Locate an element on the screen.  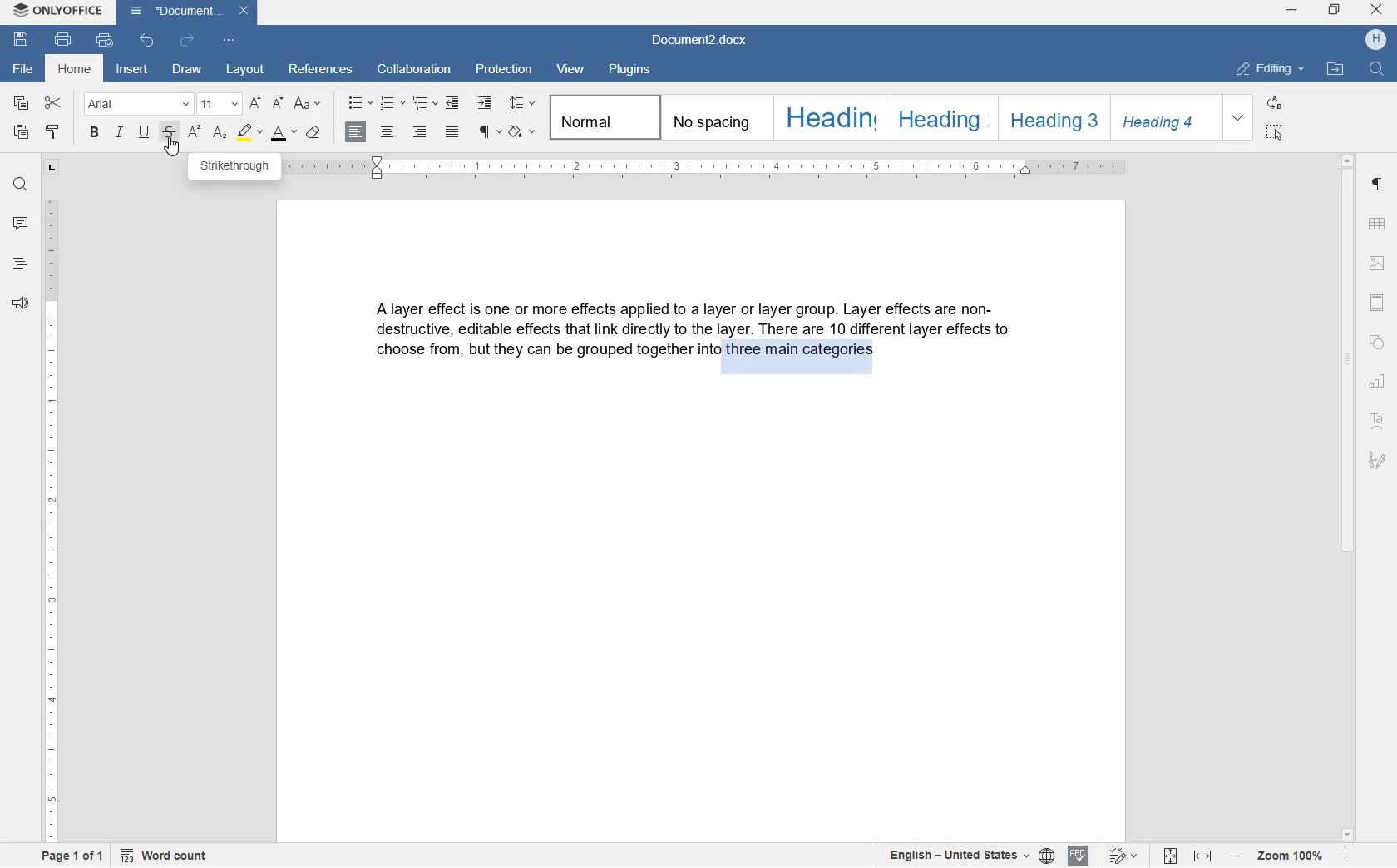
home is located at coordinates (76, 71).